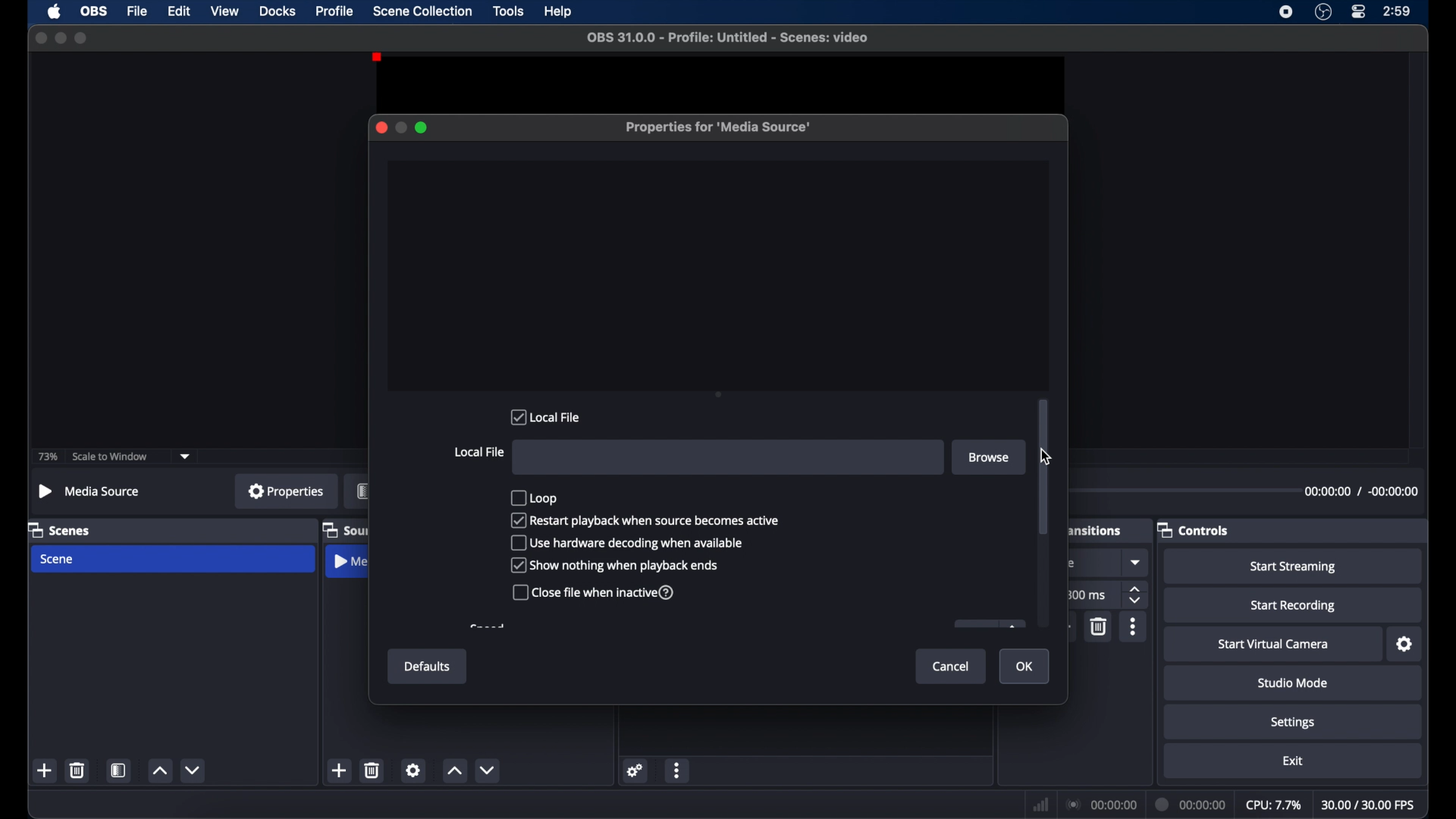  I want to click on obscure text, so click(488, 626).